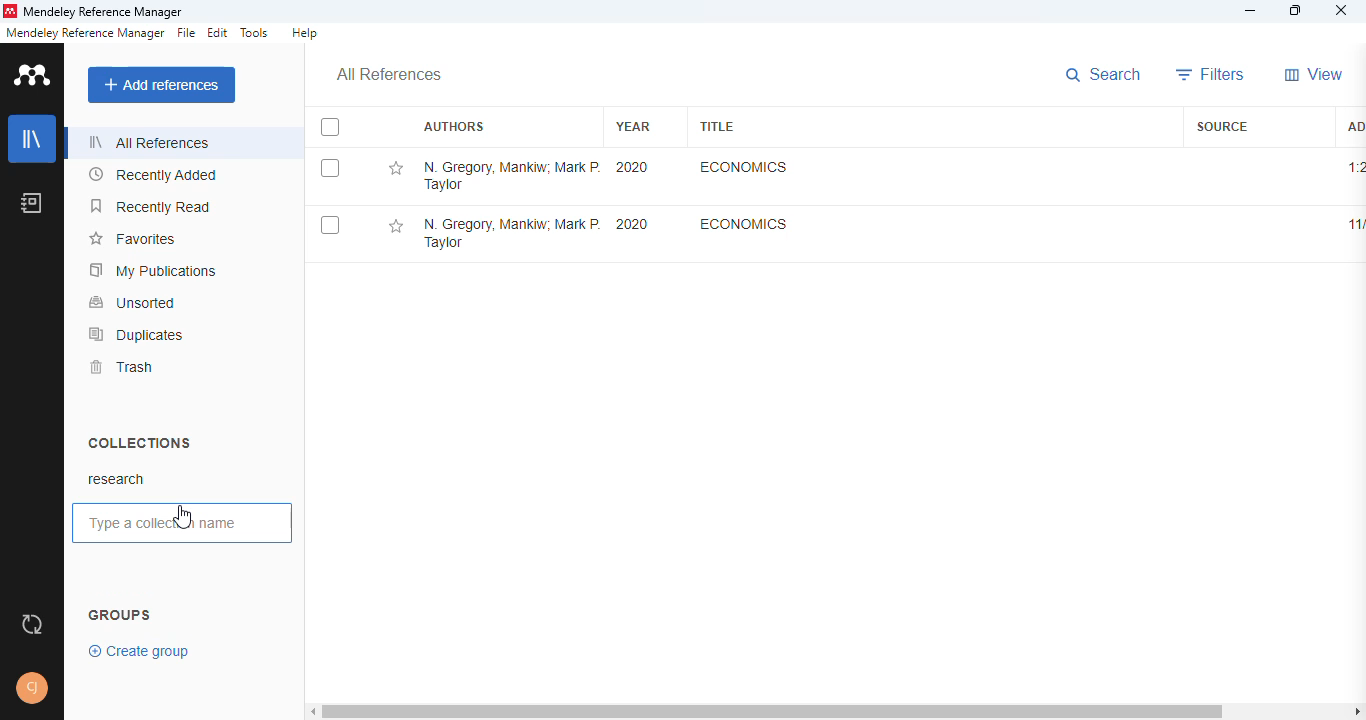 This screenshot has height=720, width=1366. I want to click on maximize, so click(1298, 11).